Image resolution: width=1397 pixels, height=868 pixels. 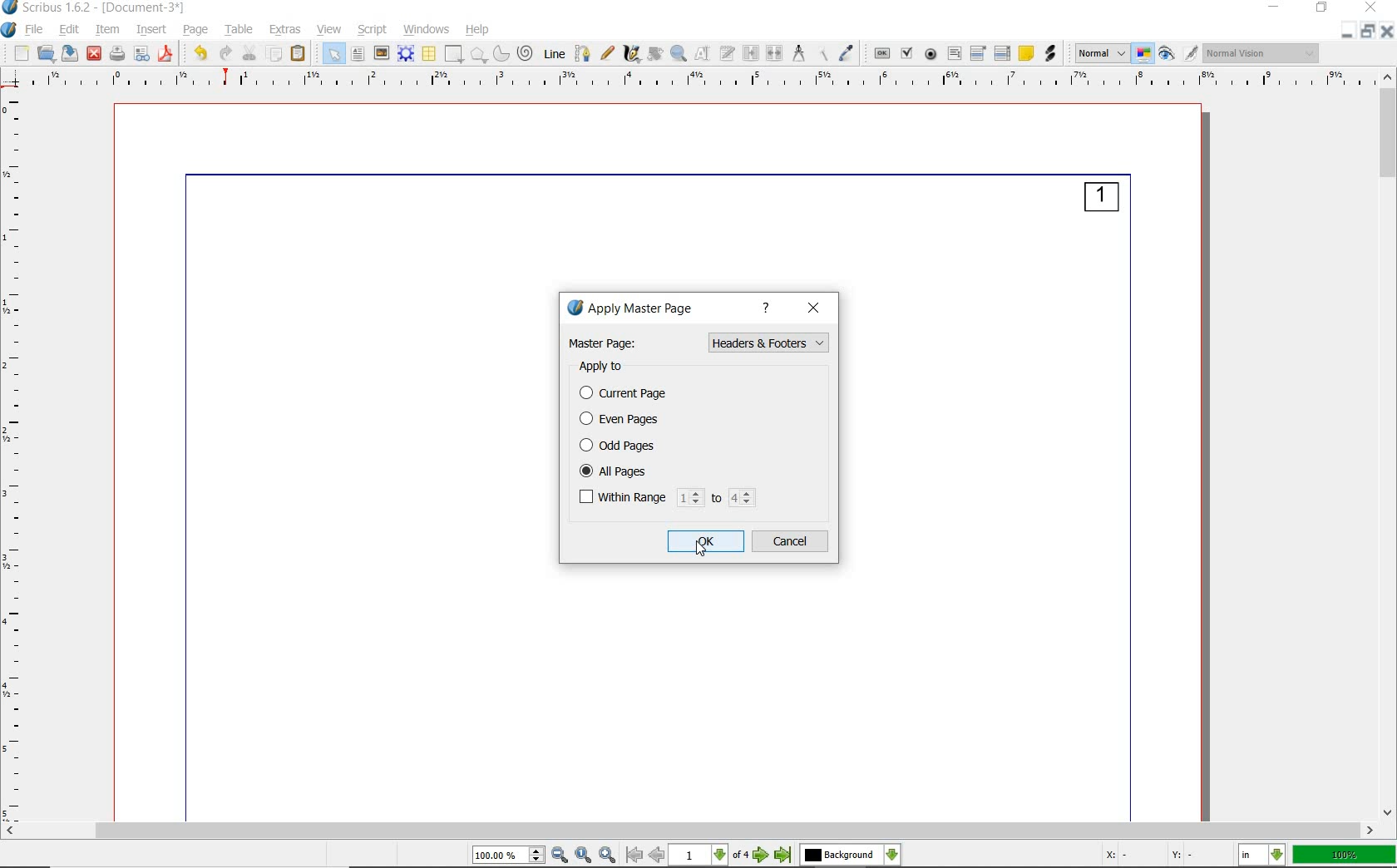 What do you see at coordinates (68, 29) in the screenshot?
I see `edit` at bounding box center [68, 29].